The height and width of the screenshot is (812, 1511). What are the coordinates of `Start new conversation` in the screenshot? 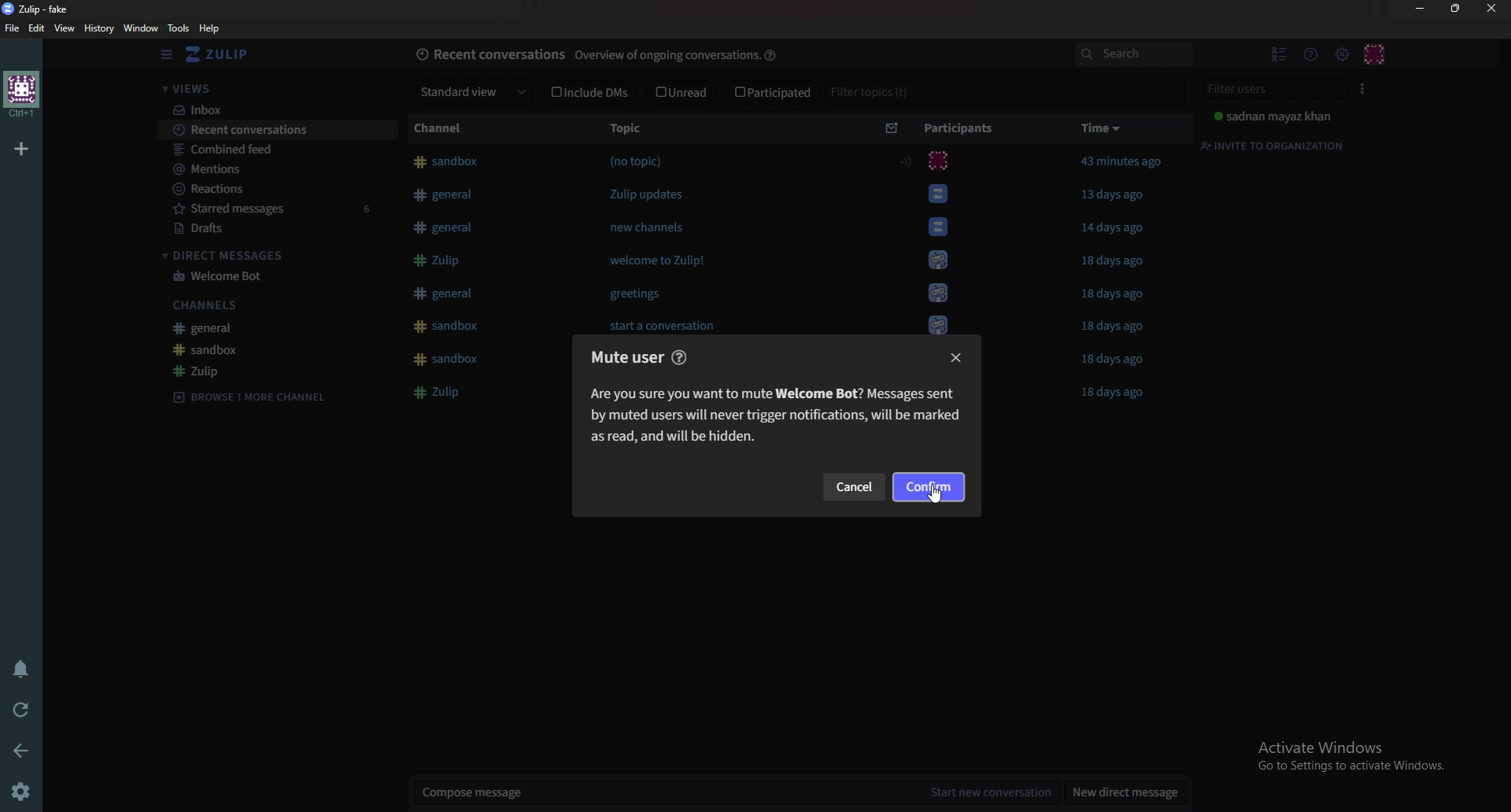 It's located at (997, 791).